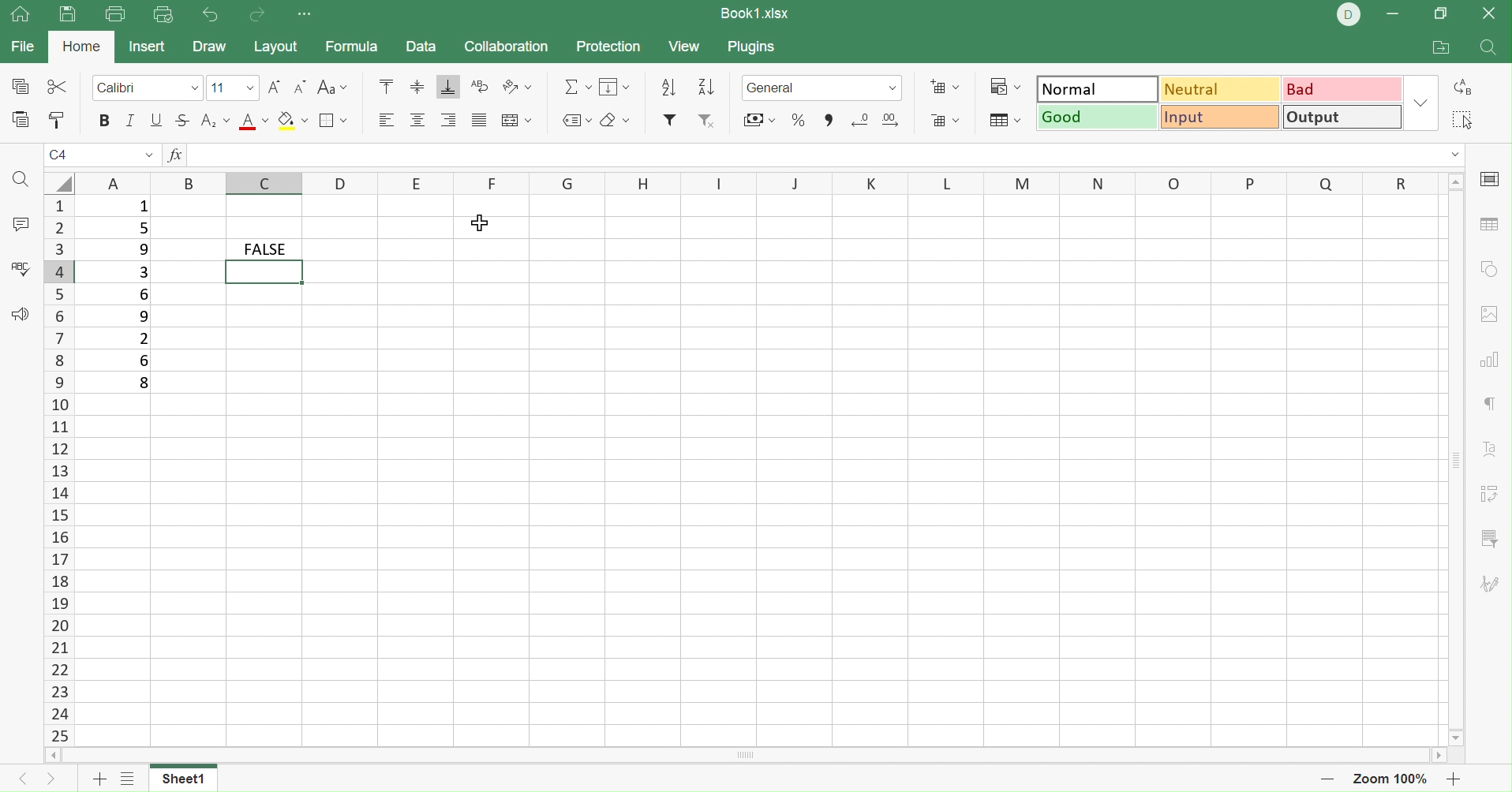  Describe the element at coordinates (52, 755) in the screenshot. I see `Scroll left` at that location.